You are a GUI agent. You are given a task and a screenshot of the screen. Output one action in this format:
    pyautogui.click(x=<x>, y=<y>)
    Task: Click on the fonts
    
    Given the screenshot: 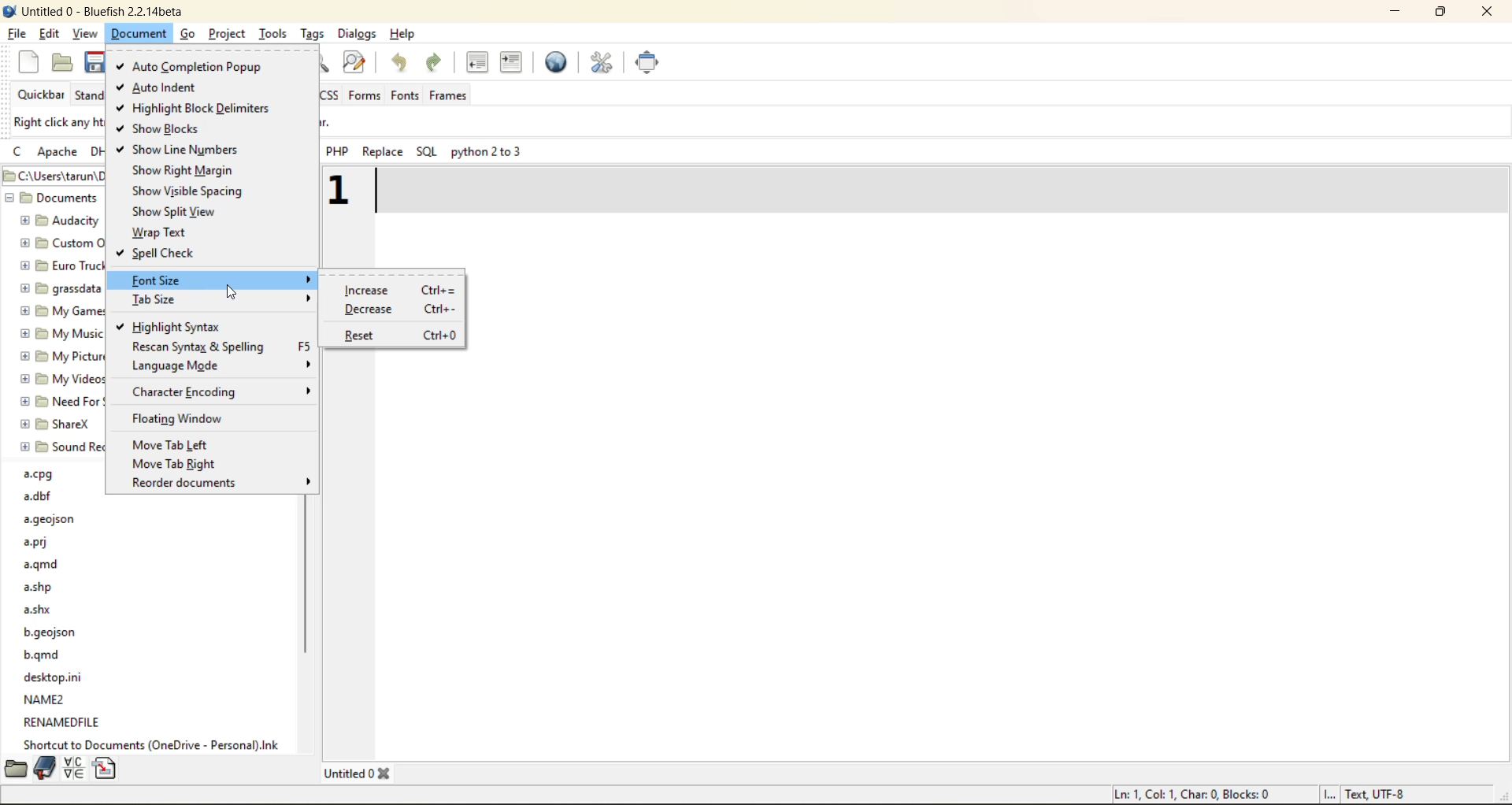 What is the action you would take?
    pyautogui.click(x=405, y=96)
    